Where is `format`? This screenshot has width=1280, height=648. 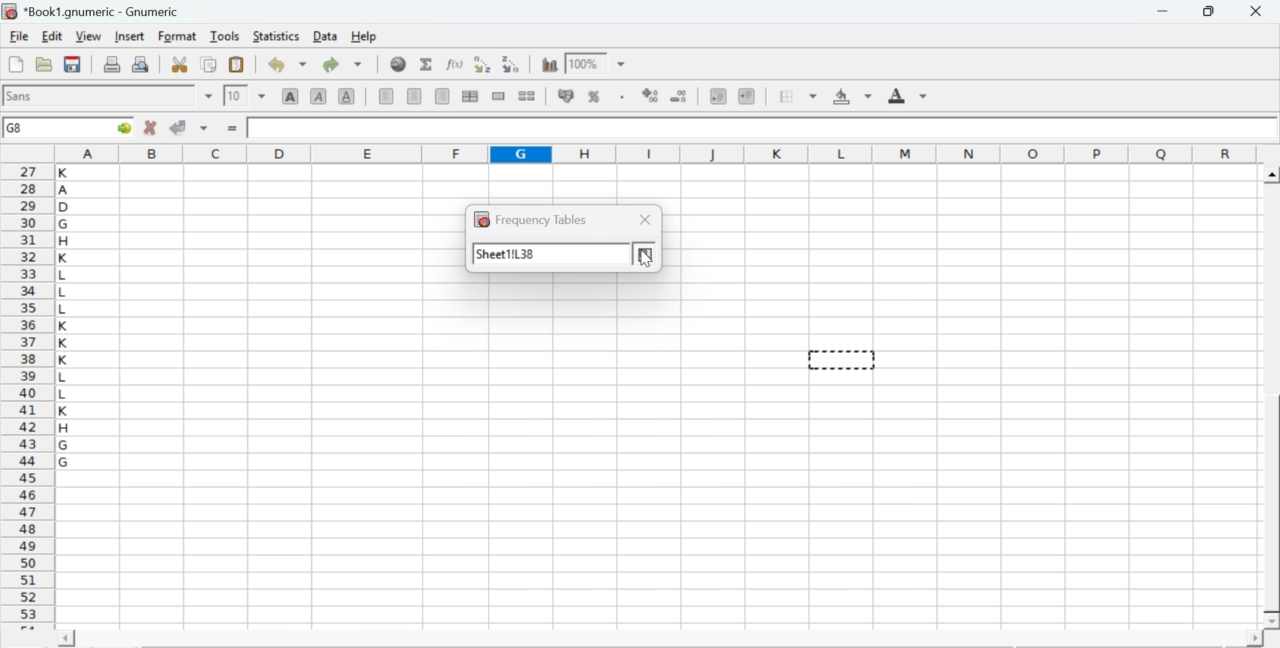 format is located at coordinates (178, 36).